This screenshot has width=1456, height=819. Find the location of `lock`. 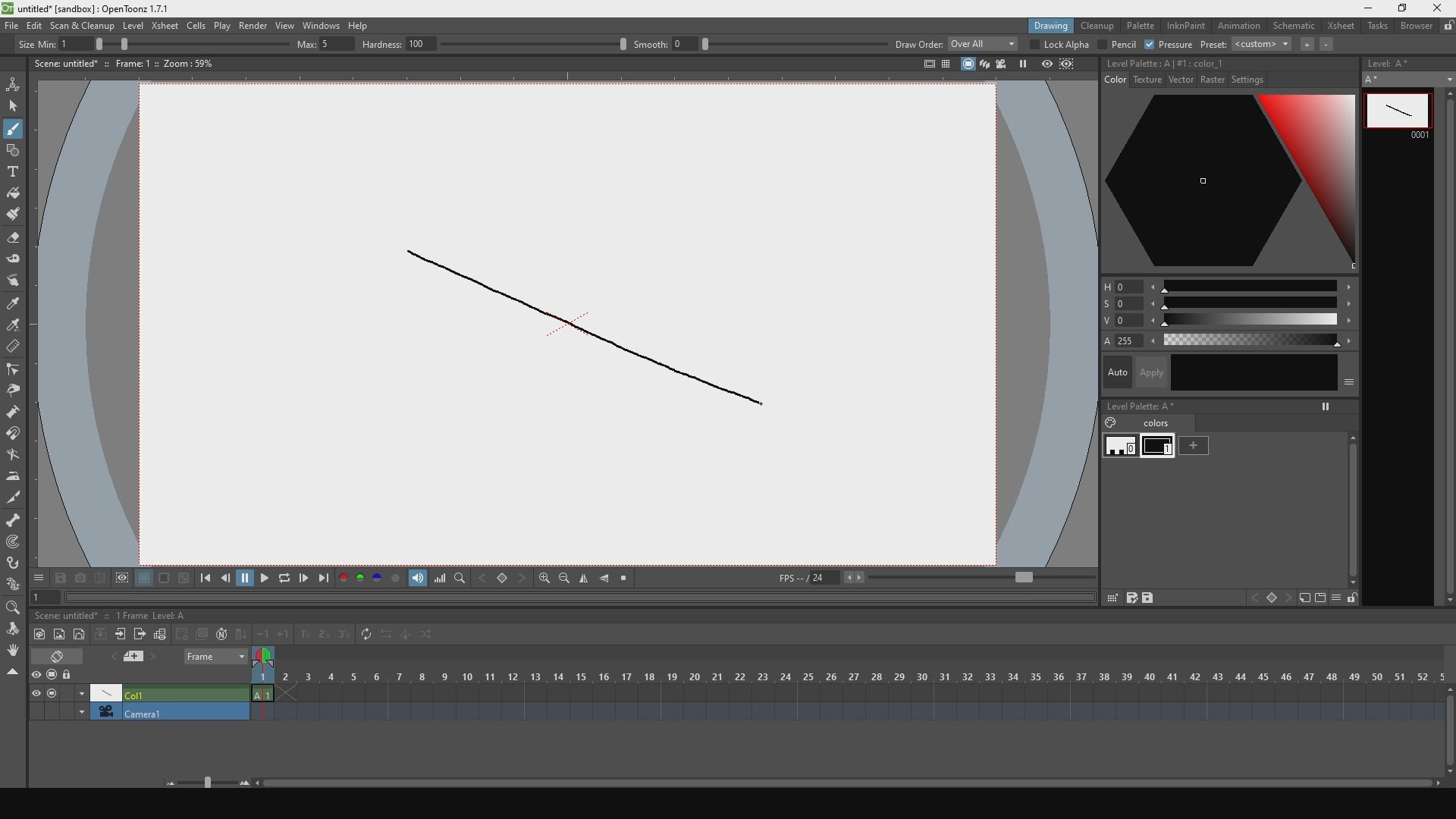

lock is located at coordinates (1447, 27).